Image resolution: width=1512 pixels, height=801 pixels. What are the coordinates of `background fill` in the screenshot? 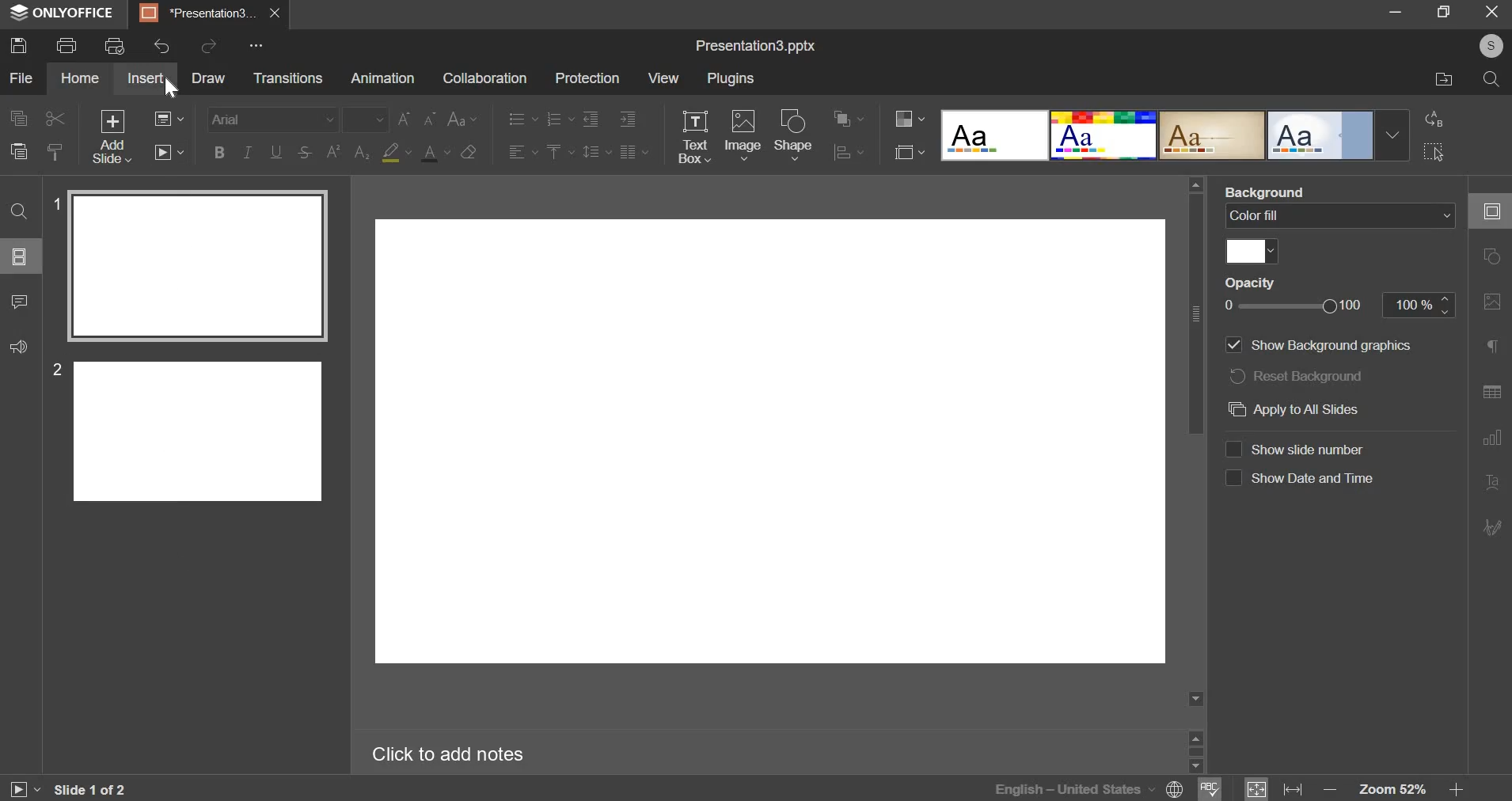 It's located at (1340, 214).